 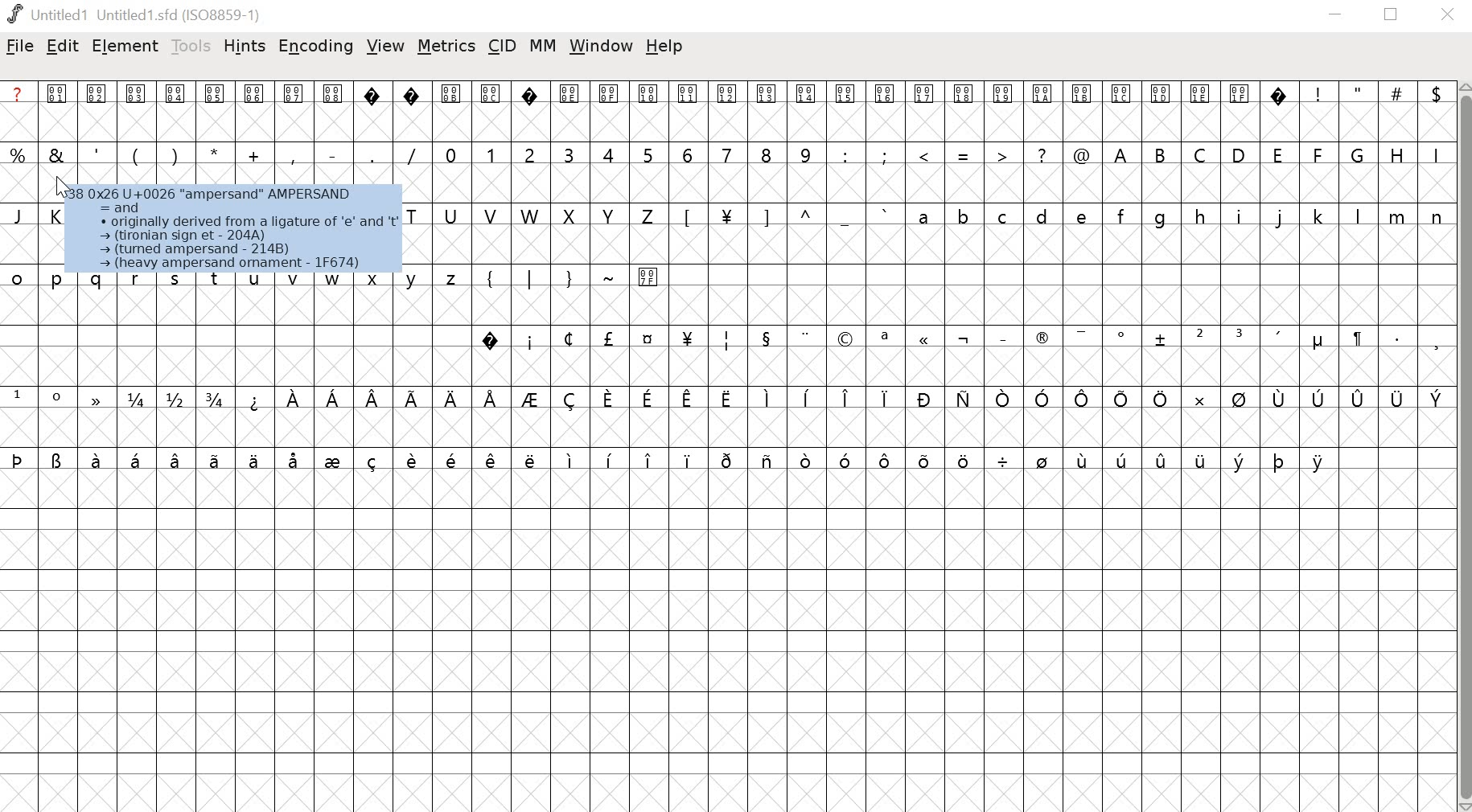 What do you see at coordinates (19, 396) in the screenshot?
I see `1` at bounding box center [19, 396].